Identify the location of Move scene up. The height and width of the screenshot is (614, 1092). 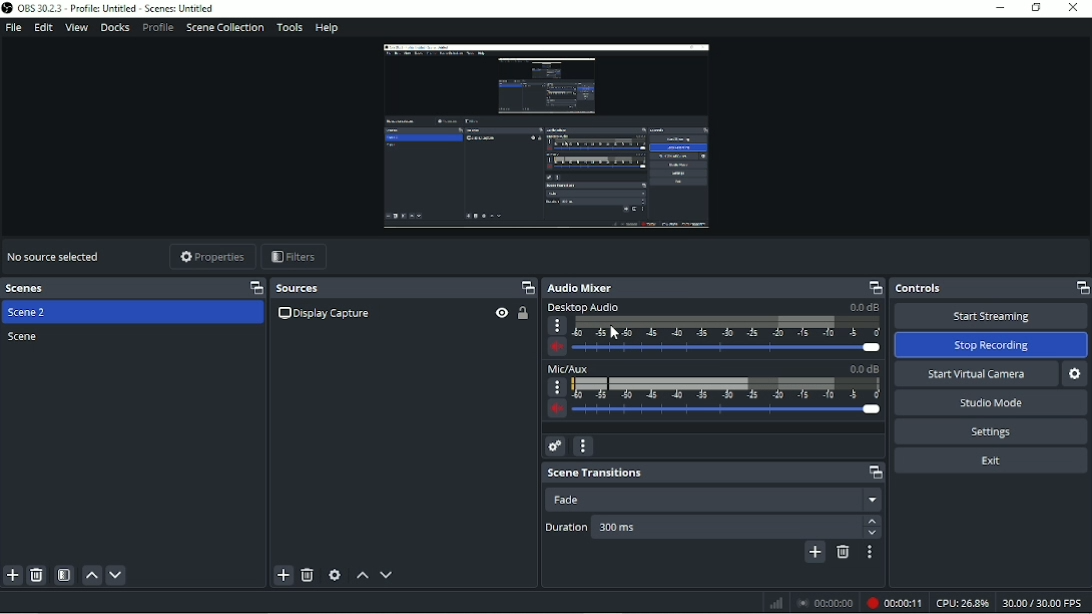
(92, 576).